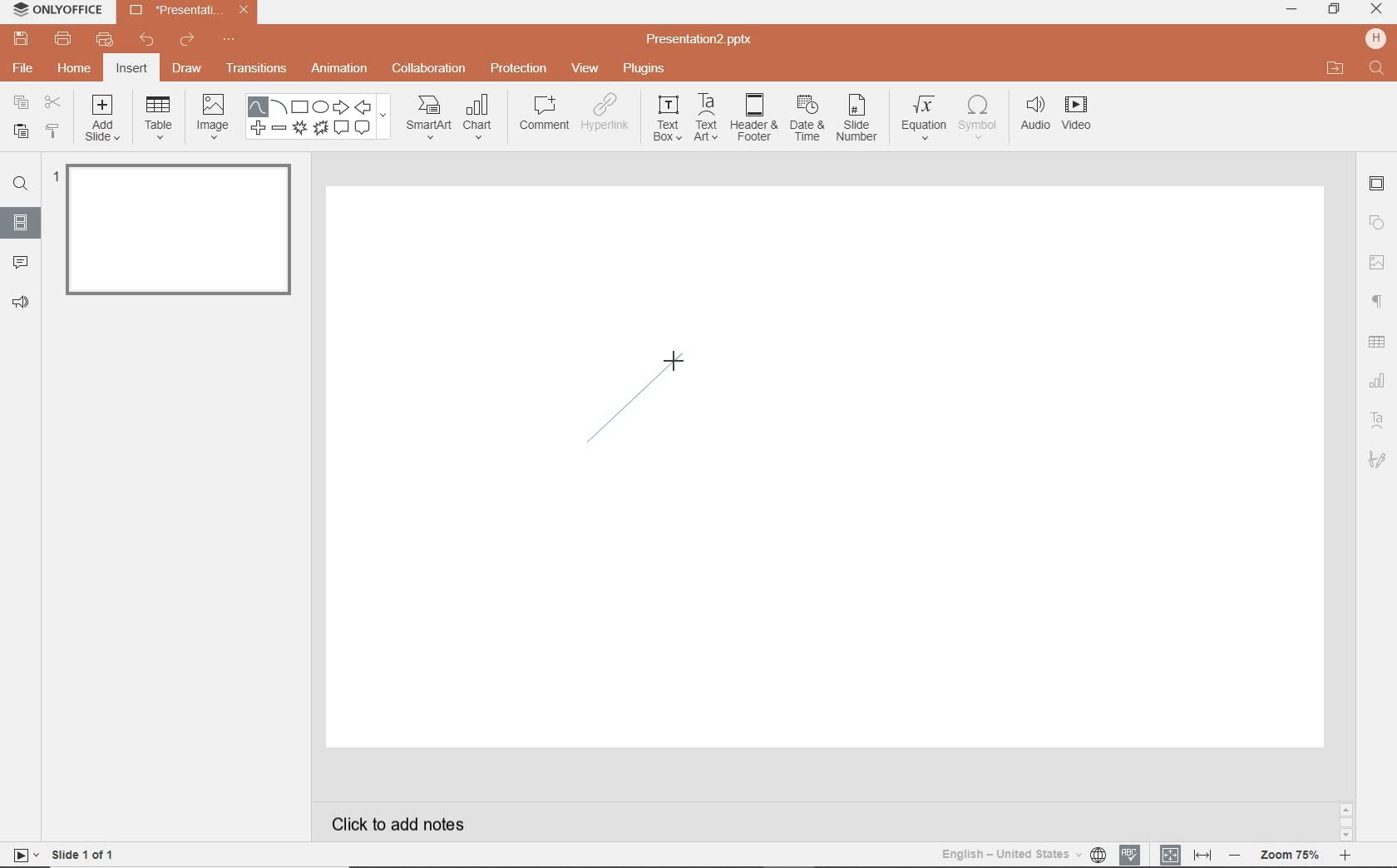 The image size is (1397, 868). What do you see at coordinates (585, 67) in the screenshot?
I see `VIEW` at bounding box center [585, 67].